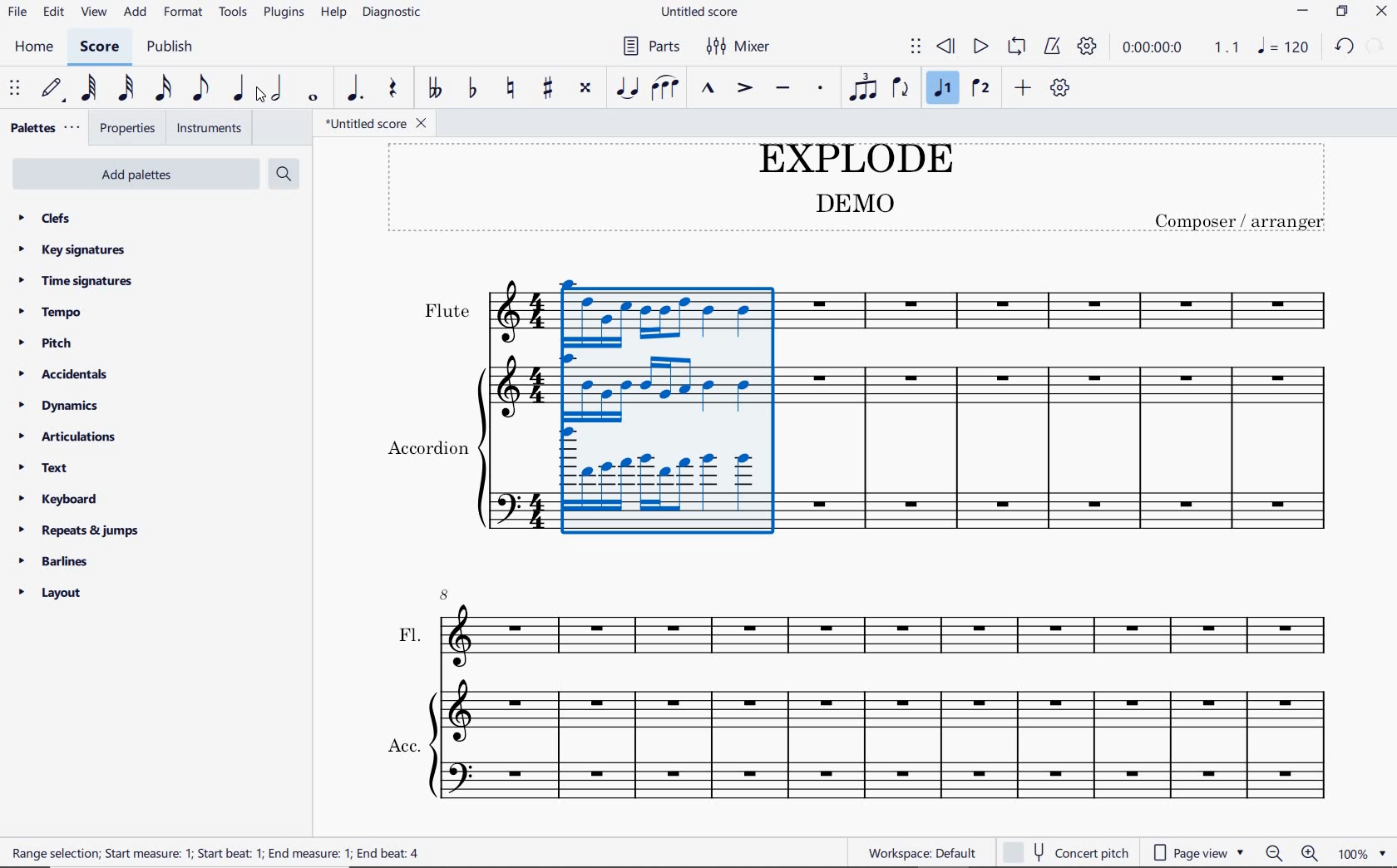 This screenshot has width=1397, height=868. Describe the element at coordinates (61, 404) in the screenshot. I see `dynamics` at that location.